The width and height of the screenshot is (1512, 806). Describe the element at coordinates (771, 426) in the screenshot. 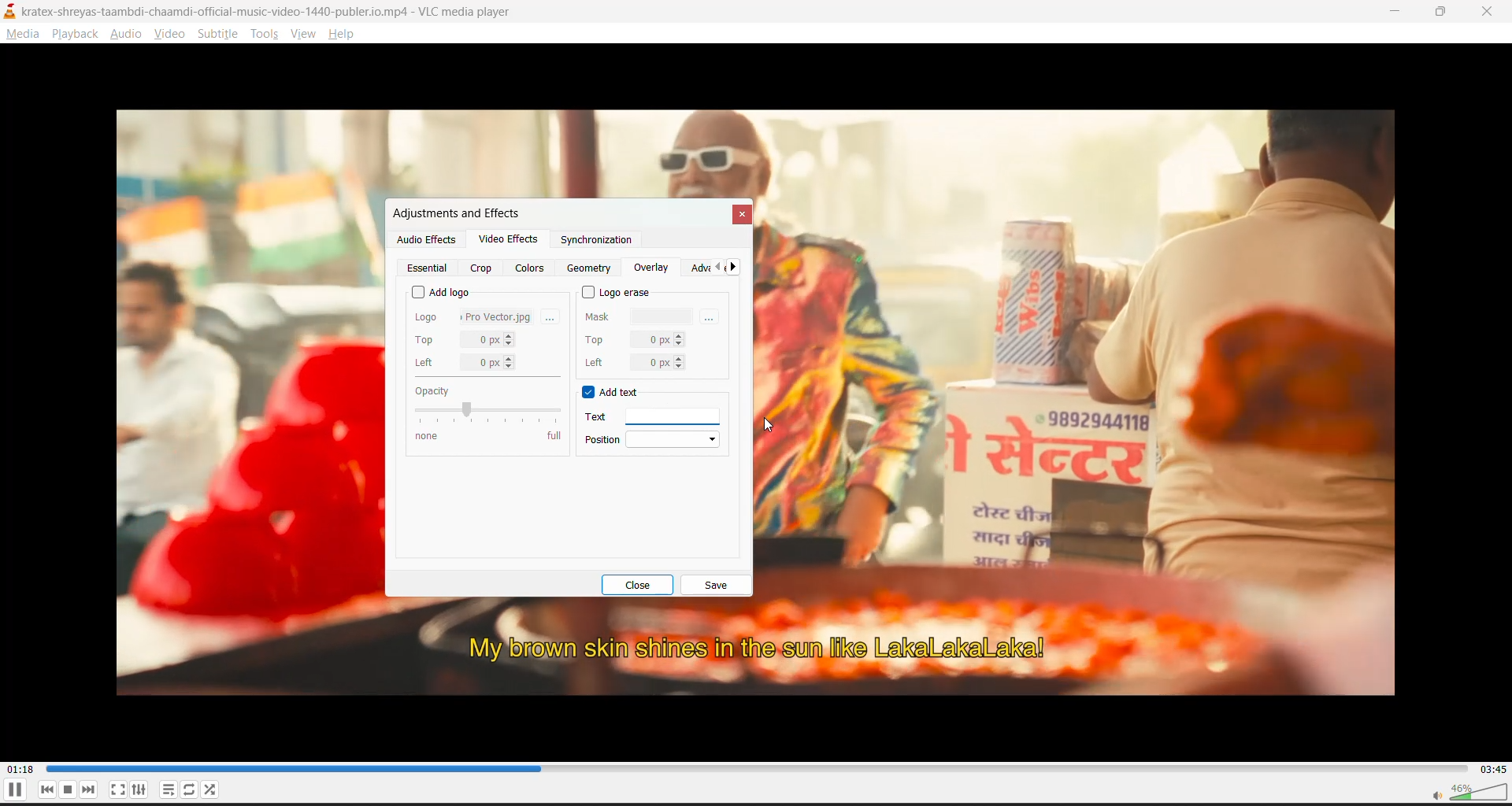

I see `cursor` at that location.